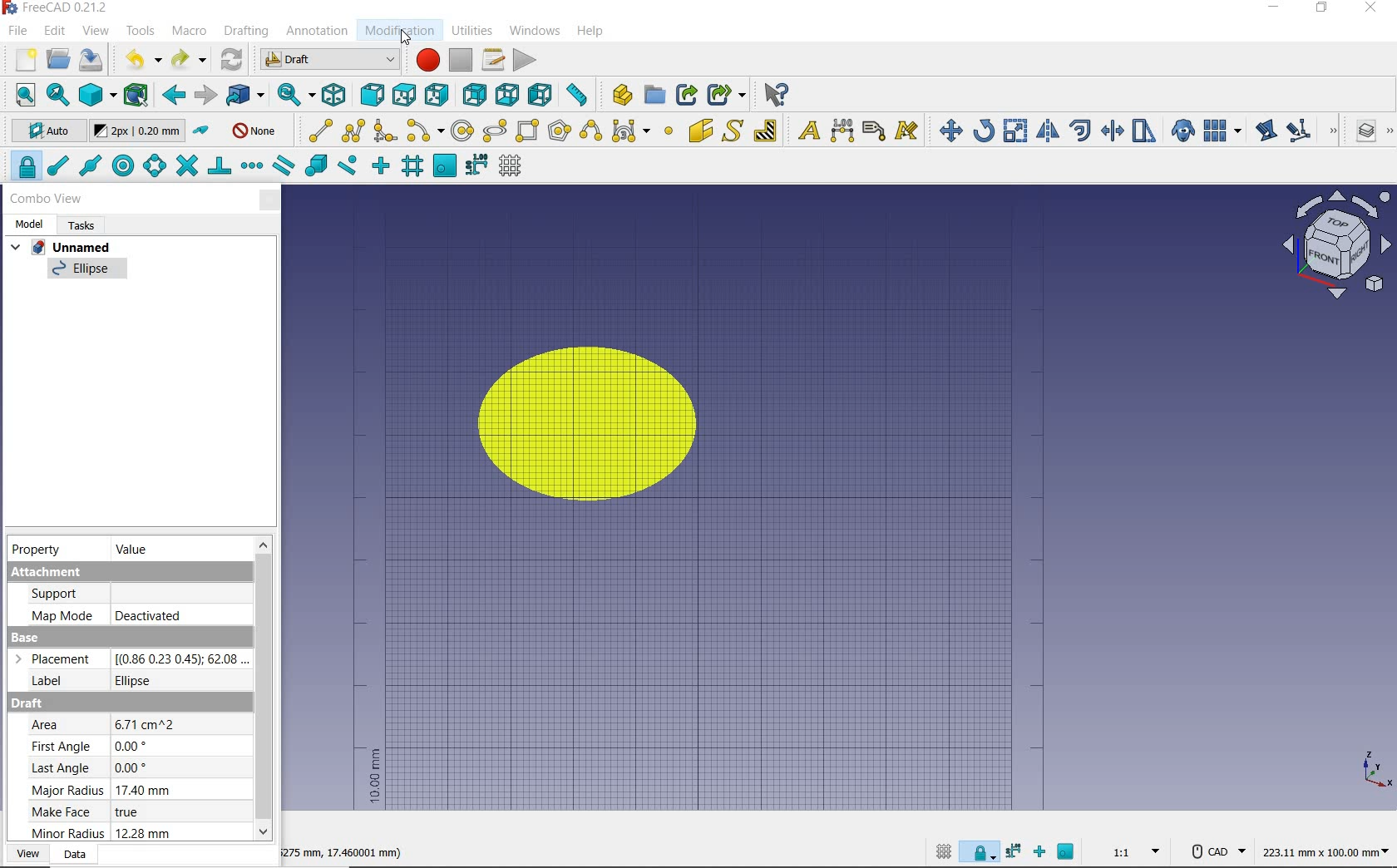  I want to click on orthographic view, so click(97, 96).